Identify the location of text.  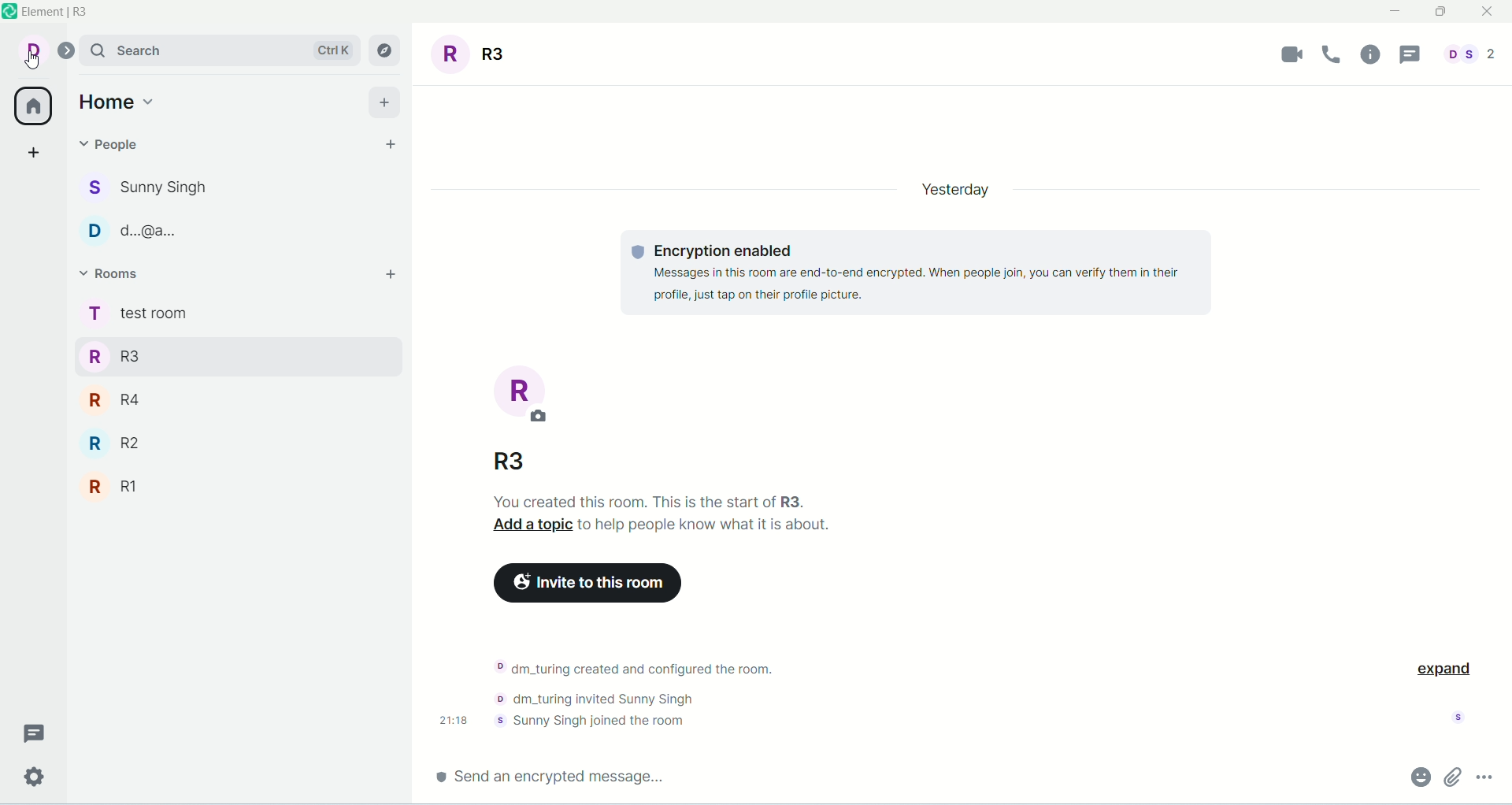
(644, 693).